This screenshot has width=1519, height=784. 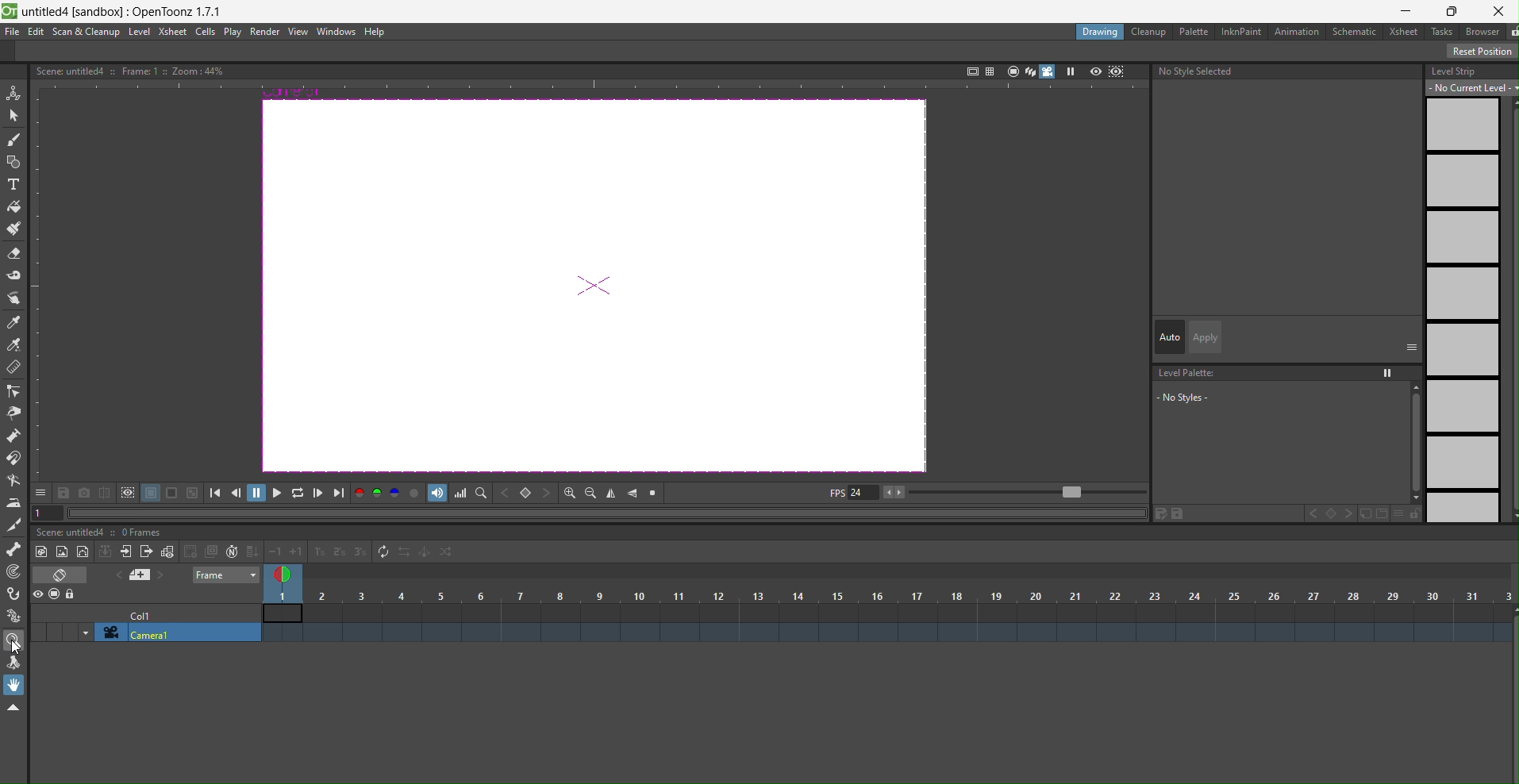 What do you see at coordinates (526, 492) in the screenshot?
I see `set key` at bounding box center [526, 492].